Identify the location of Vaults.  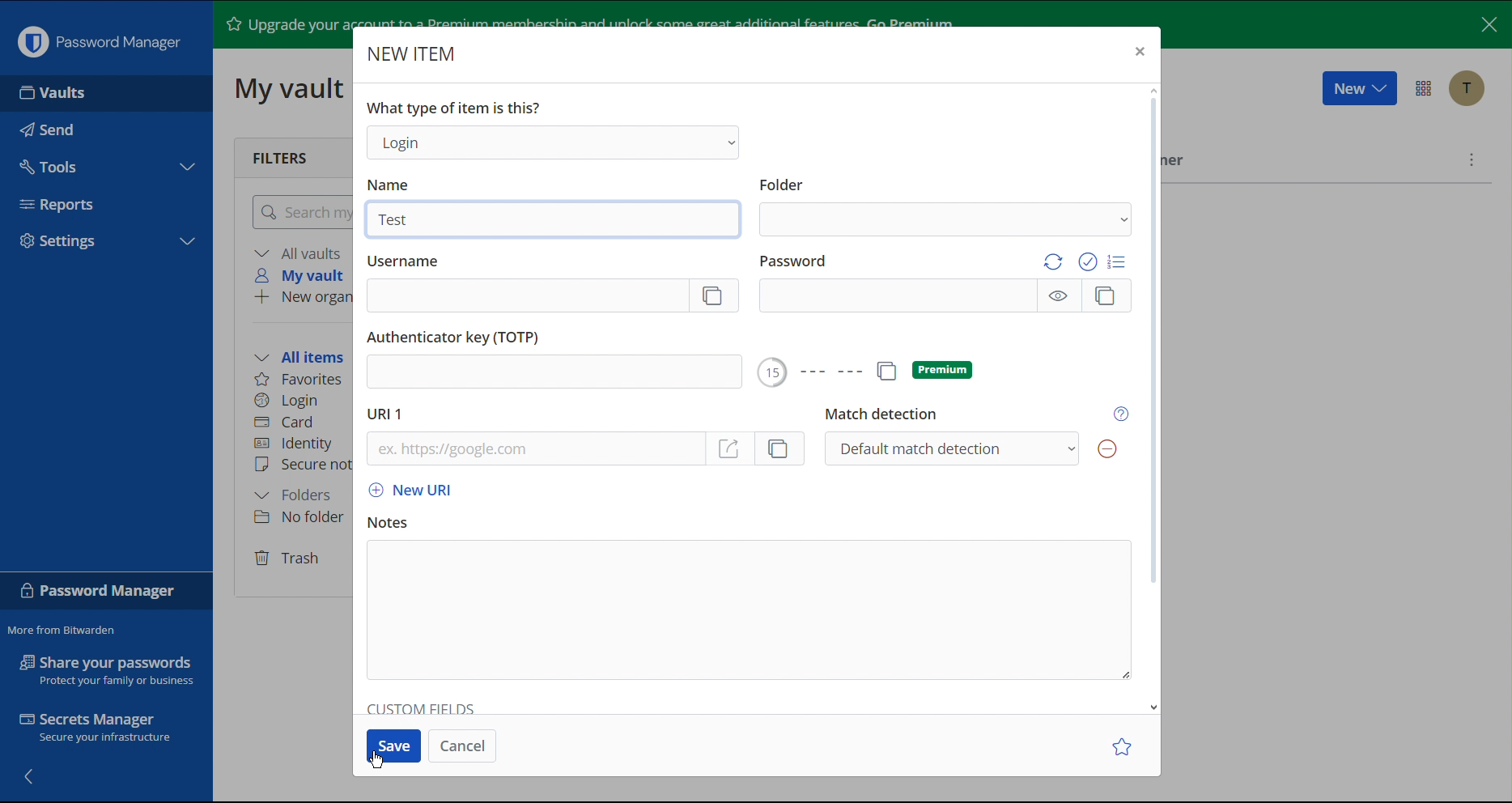
(105, 91).